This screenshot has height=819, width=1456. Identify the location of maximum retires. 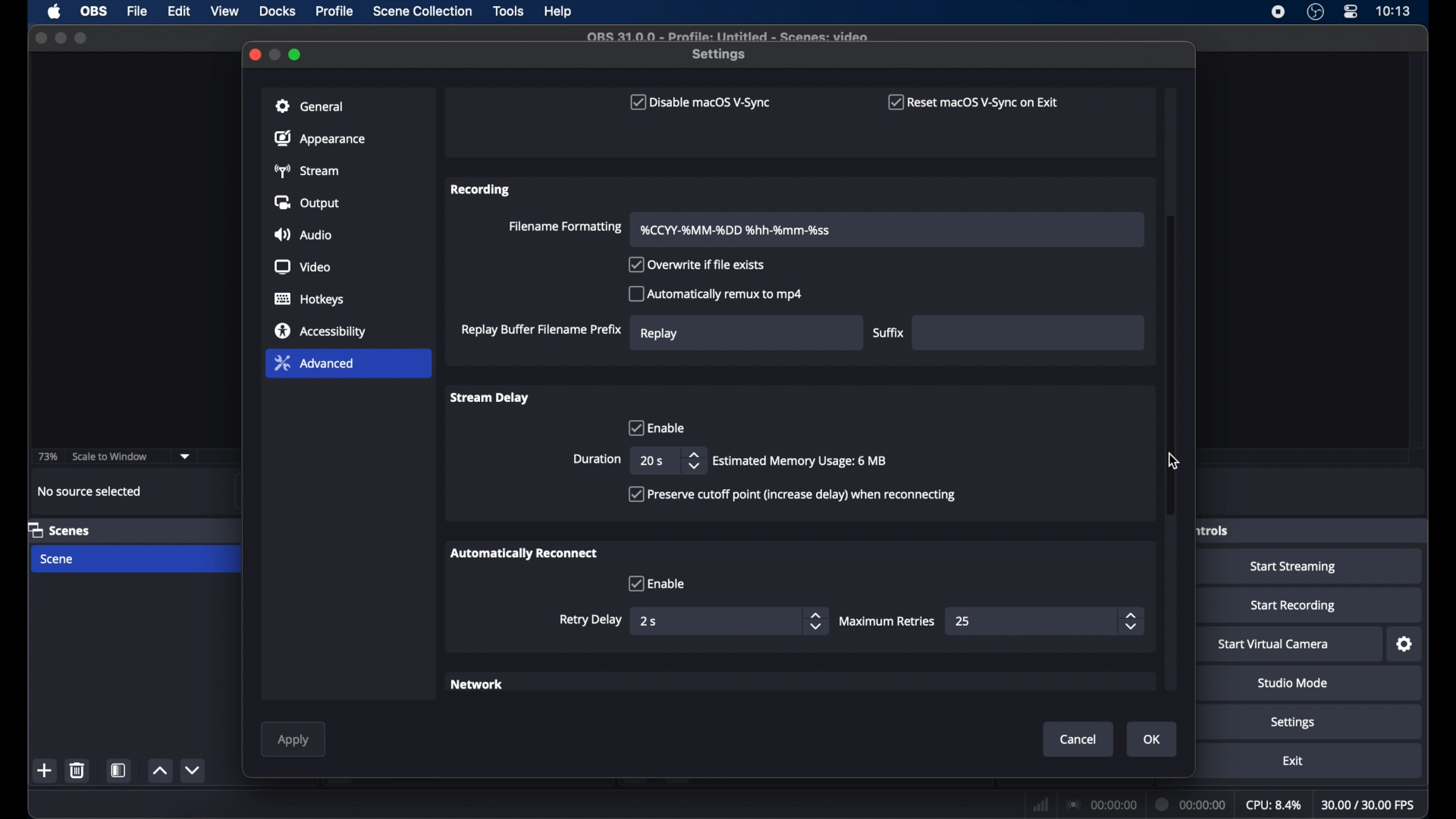
(889, 621).